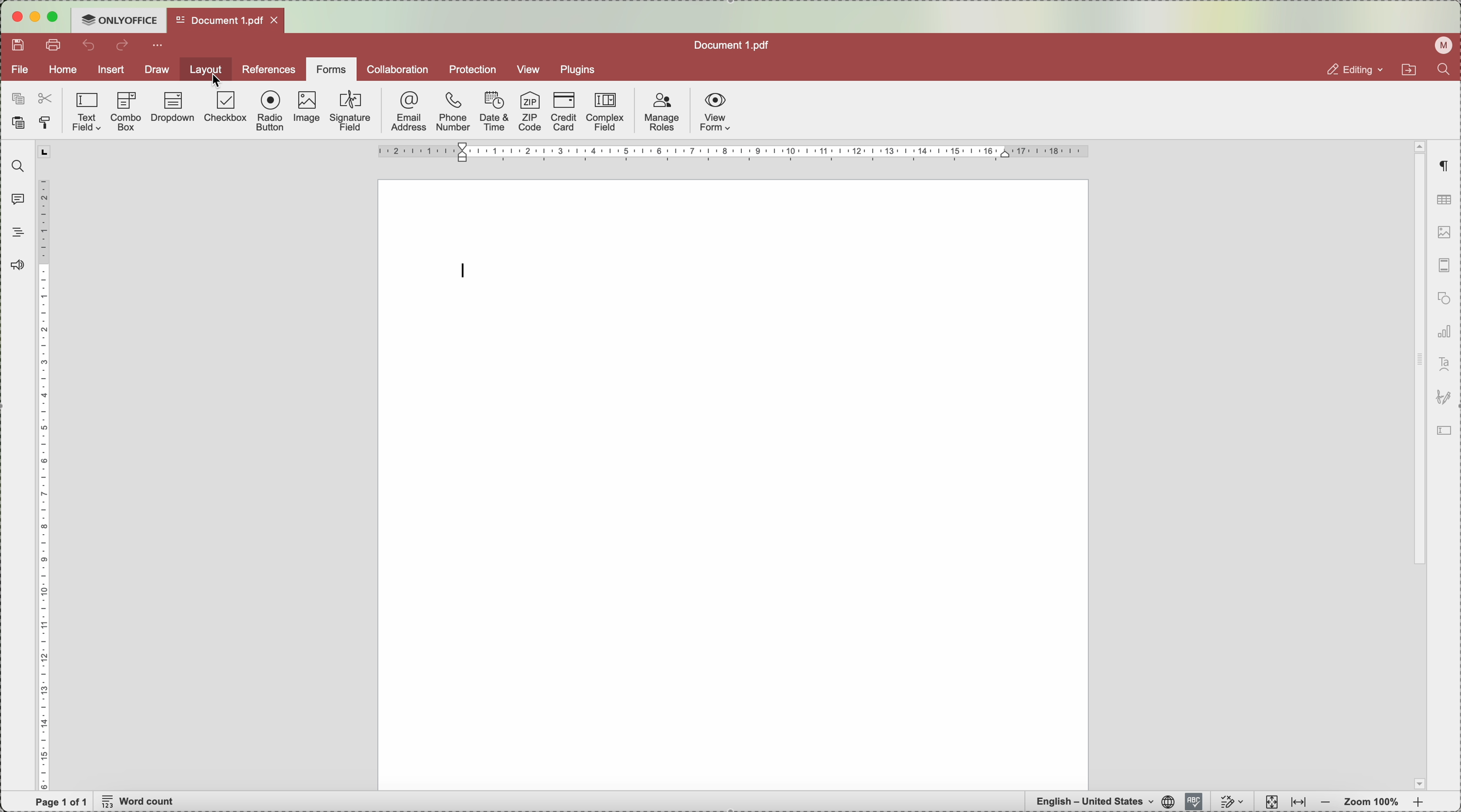  What do you see at coordinates (529, 112) in the screenshot?
I see `ZIP code` at bounding box center [529, 112].